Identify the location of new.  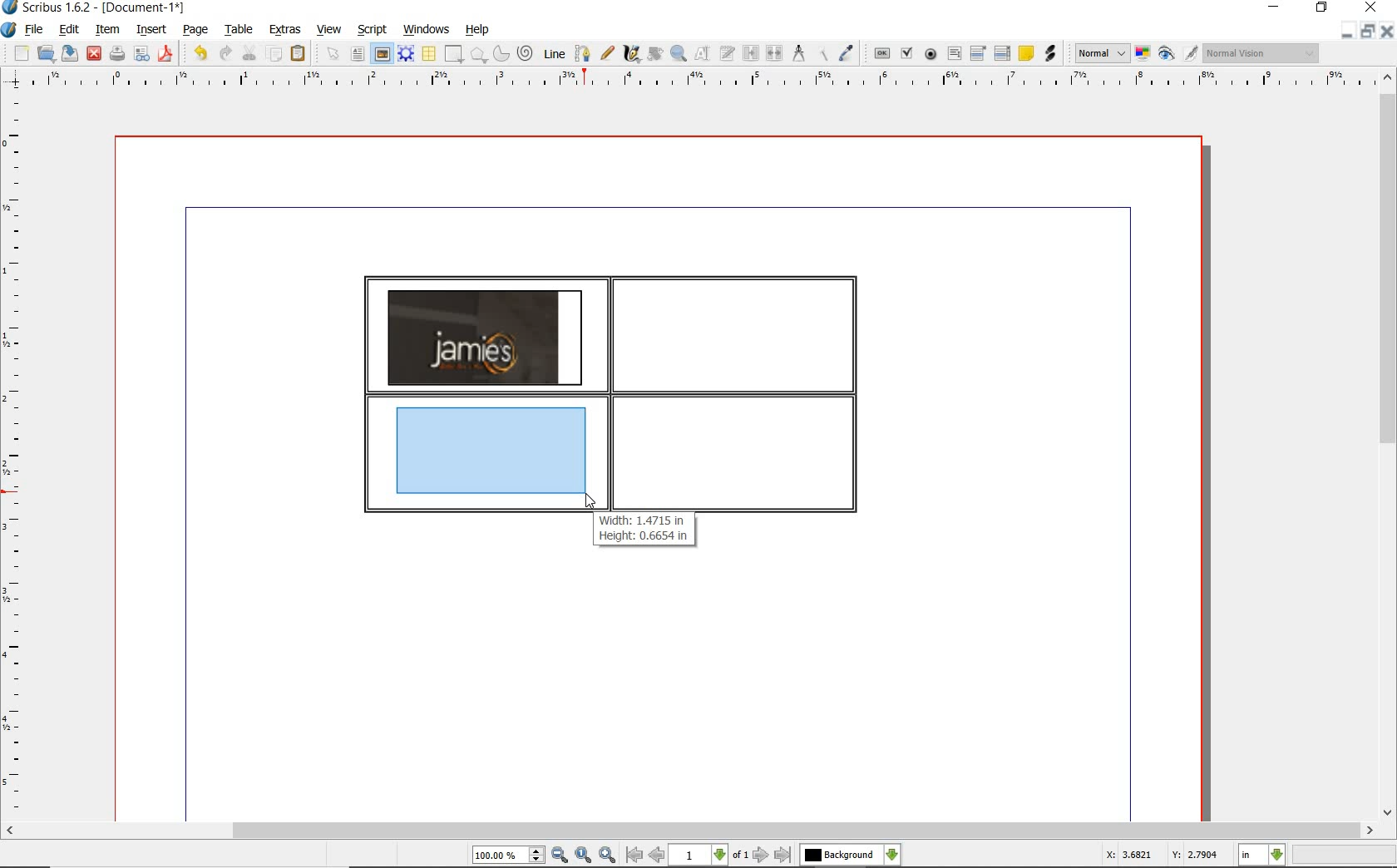
(22, 55).